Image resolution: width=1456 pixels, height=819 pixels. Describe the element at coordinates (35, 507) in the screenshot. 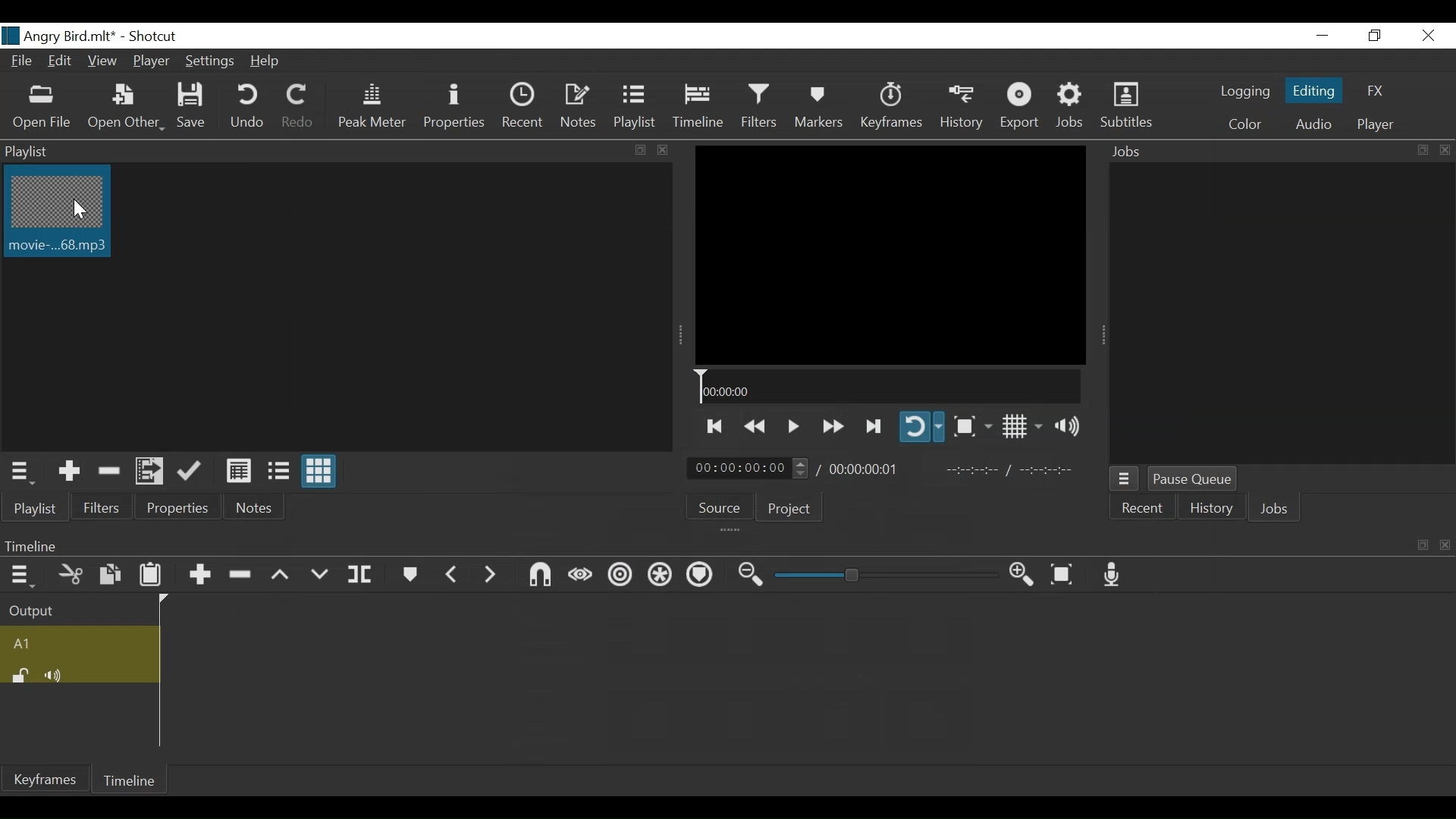

I see `Playlist menu` at that location.